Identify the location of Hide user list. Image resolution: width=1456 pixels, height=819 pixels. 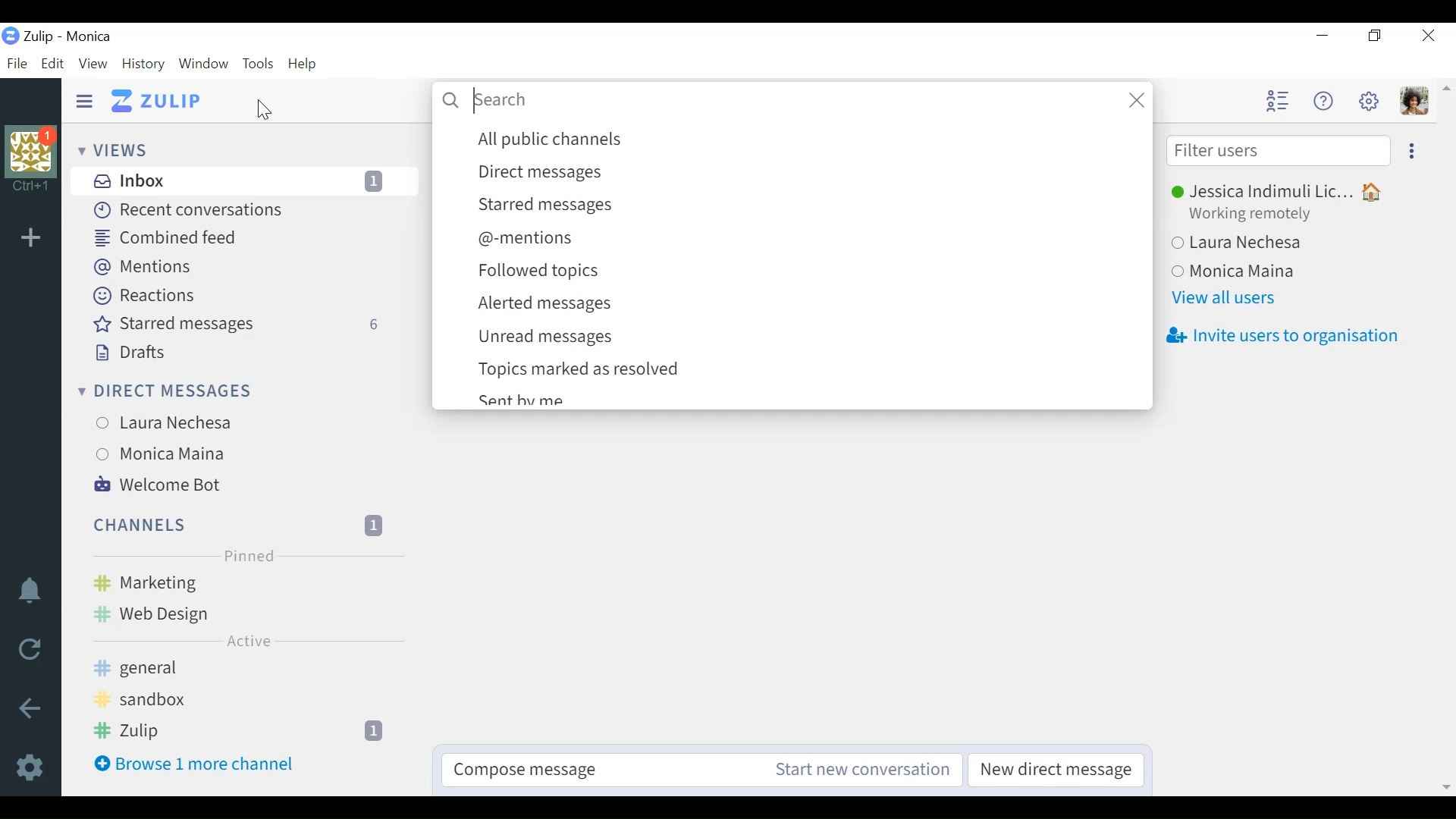
(1278, 102).